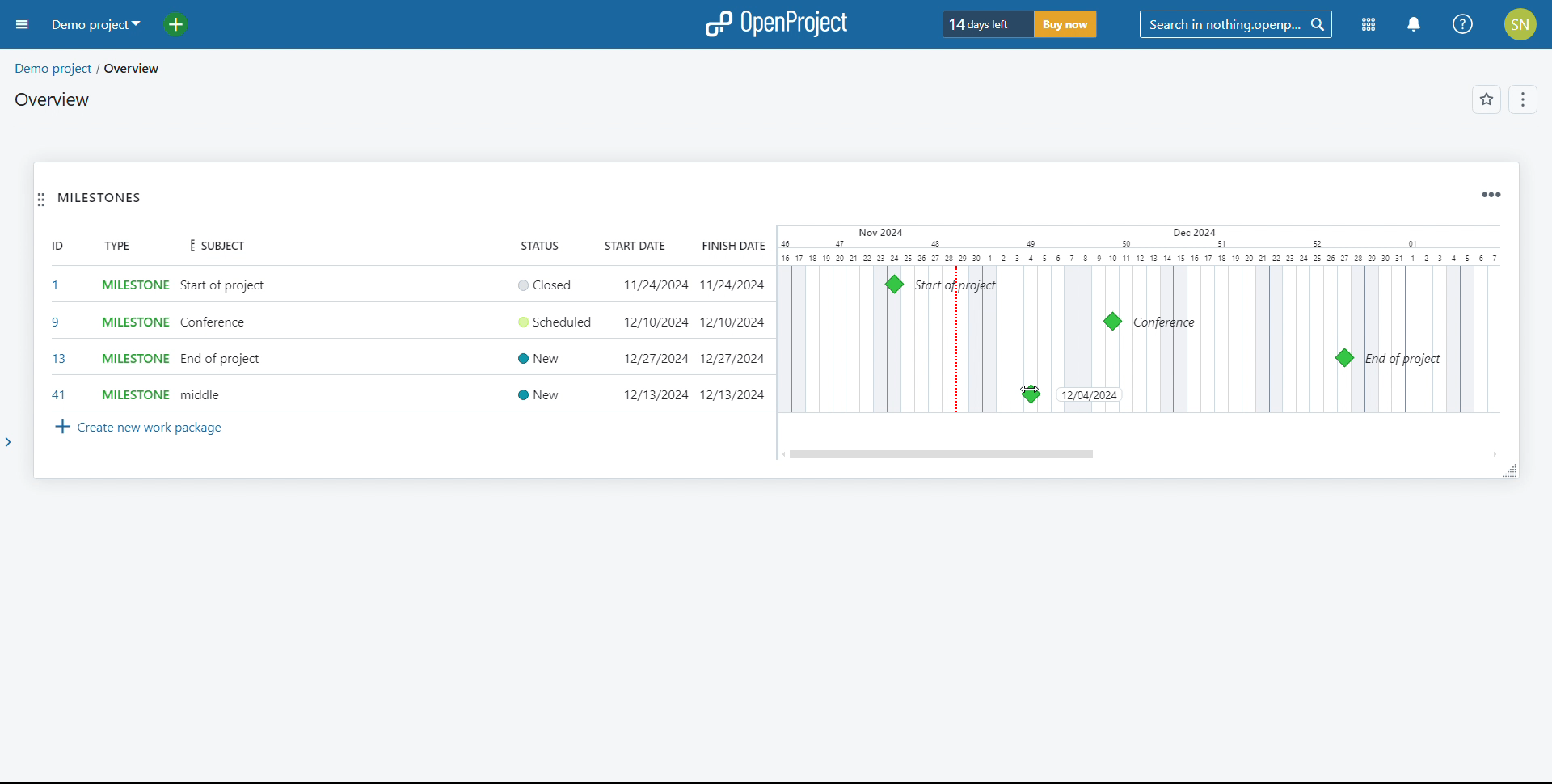 This screenshot has height=784, width=1552. Describe the element at coordinates (95, 25) in the screenshot. I see `demo project selected` at that location.